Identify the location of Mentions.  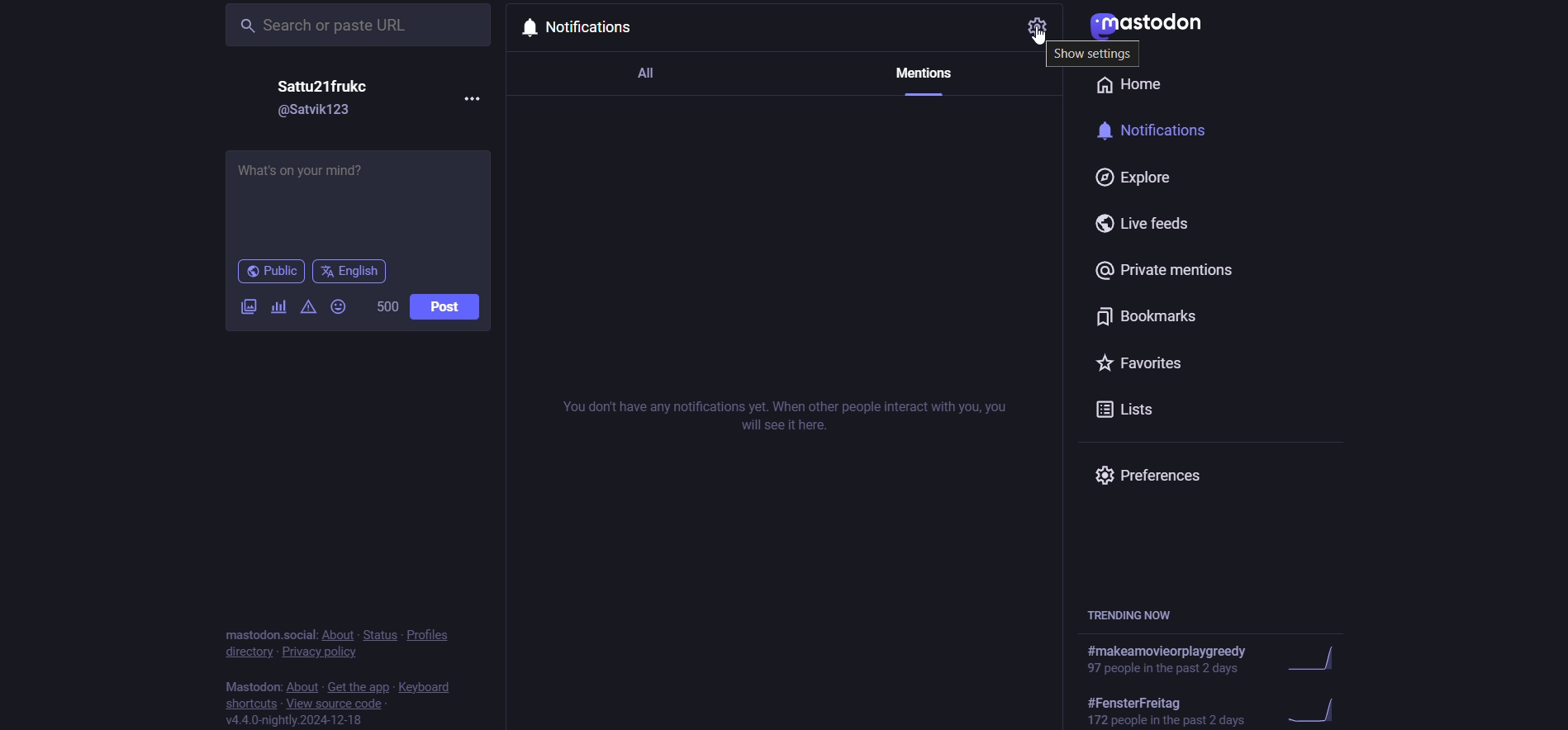
(929, 81).